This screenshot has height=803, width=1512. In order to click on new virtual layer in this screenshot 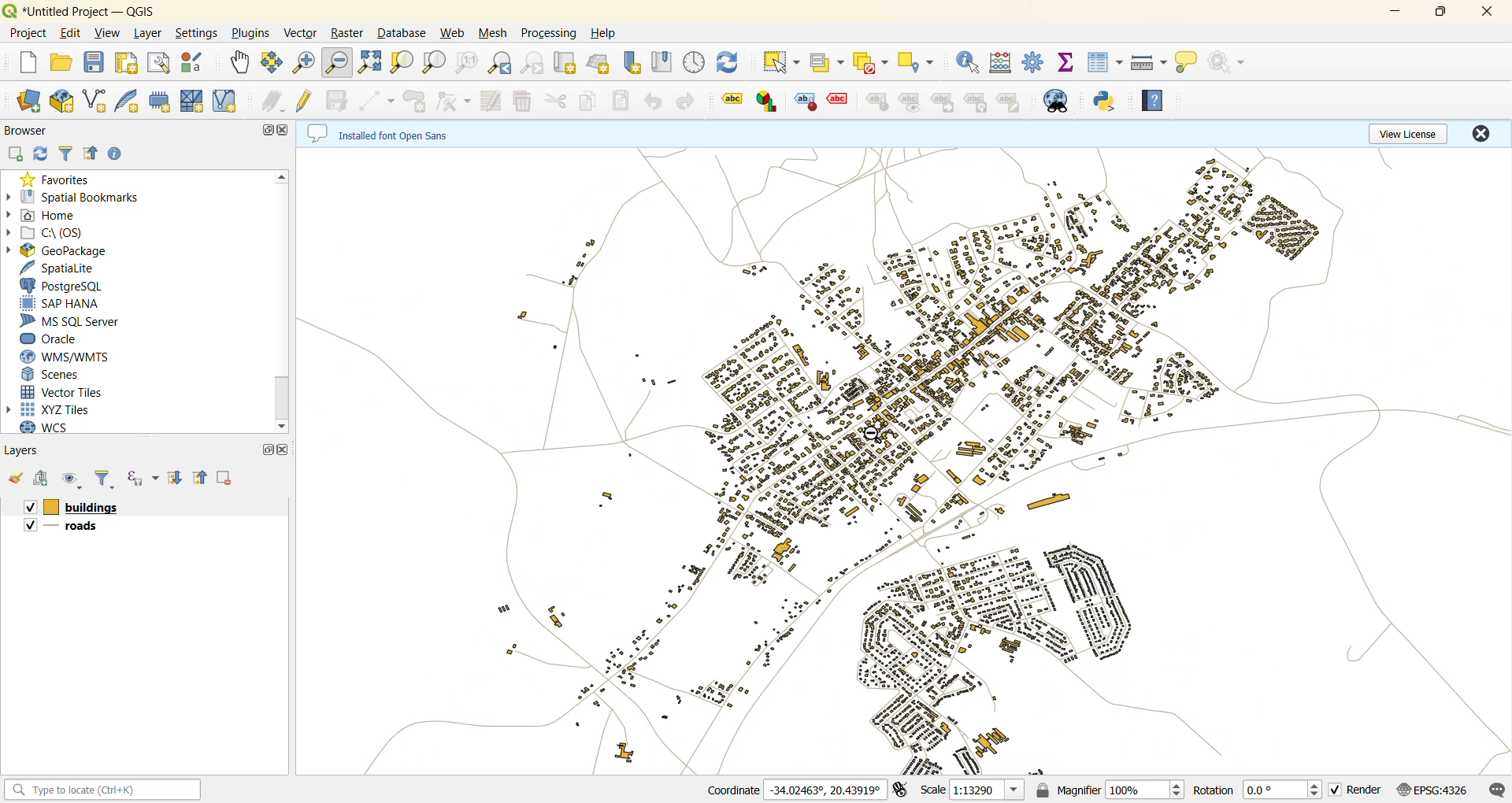, I will do `click(229, 102)`.